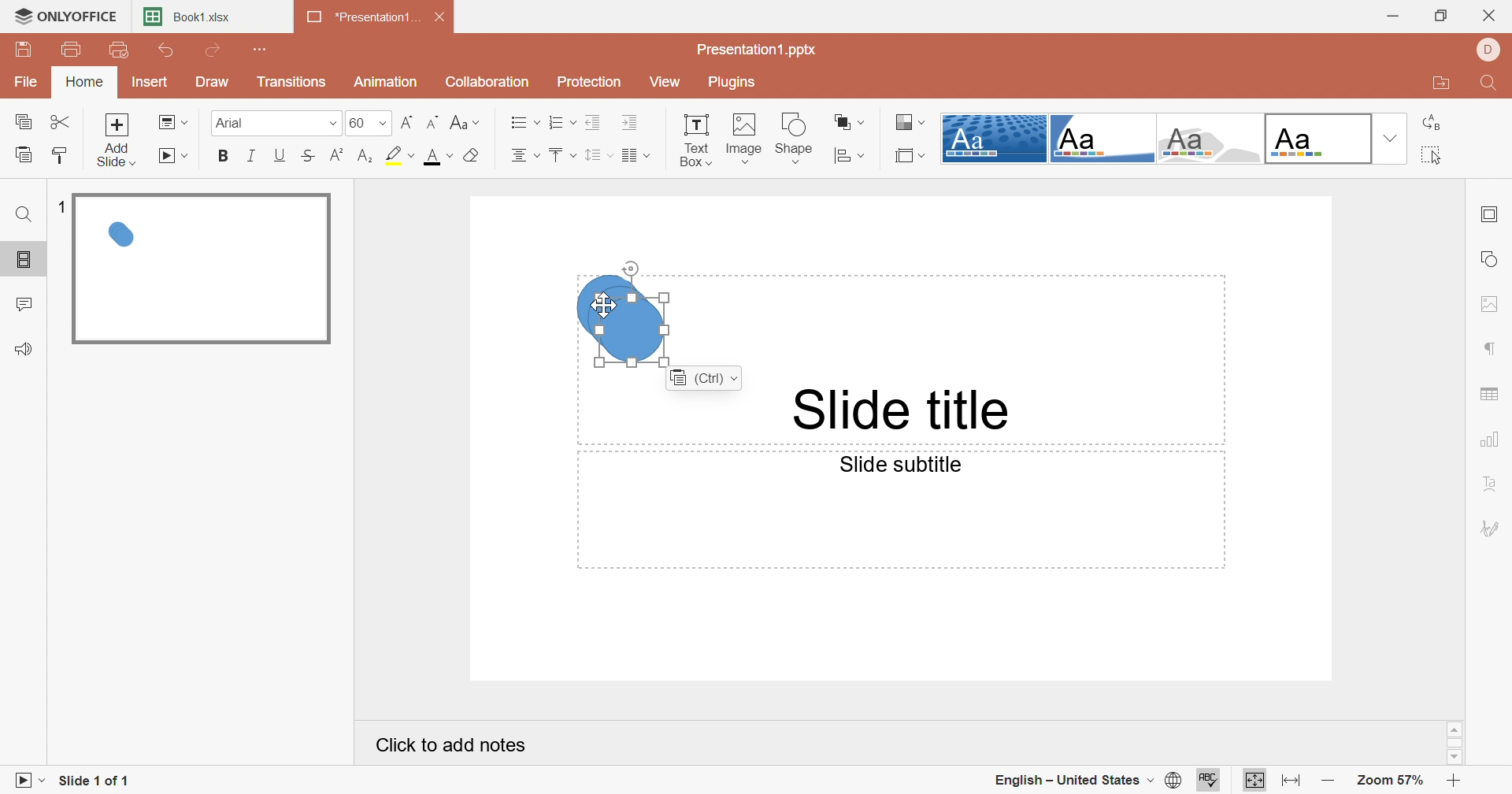 The height and width of the screenshot is (794, 1512). What do you see at coordinates (1210, 139) in the screenshot?
I see `Turtle` at bounding box center [1210, 139].